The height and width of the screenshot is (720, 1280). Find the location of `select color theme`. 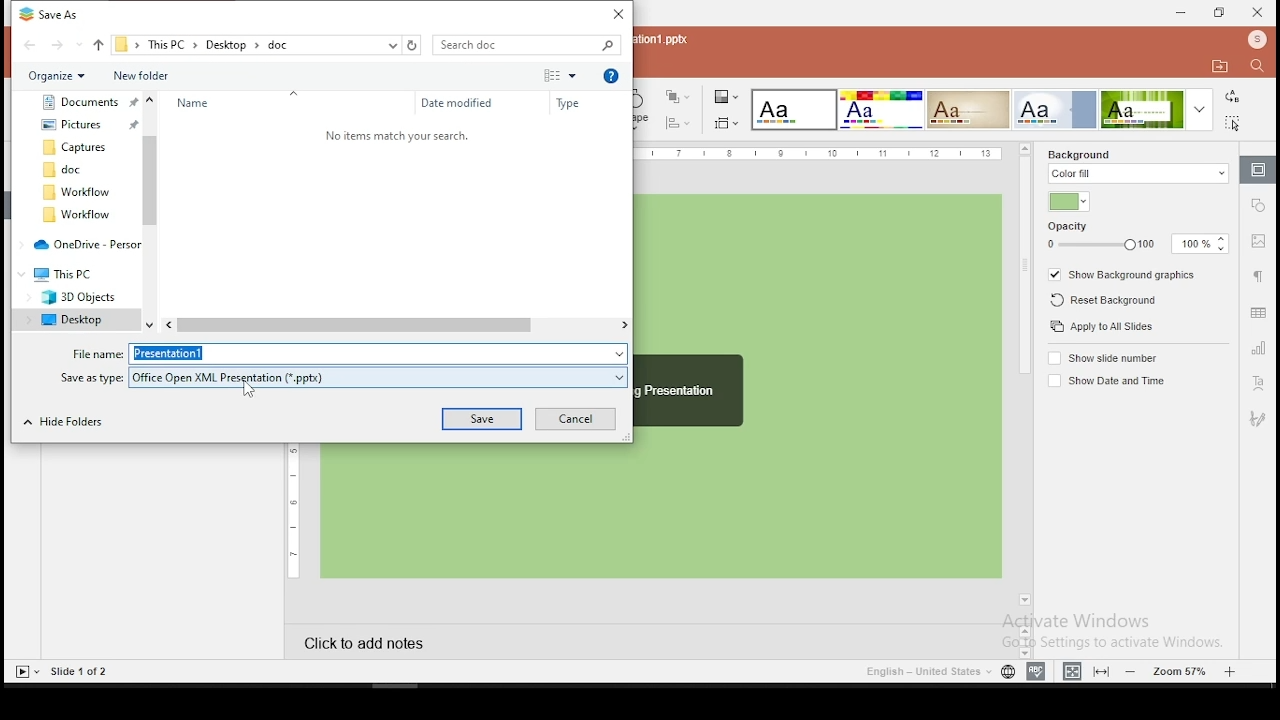

select color theme is located at coordinates (880, 109).